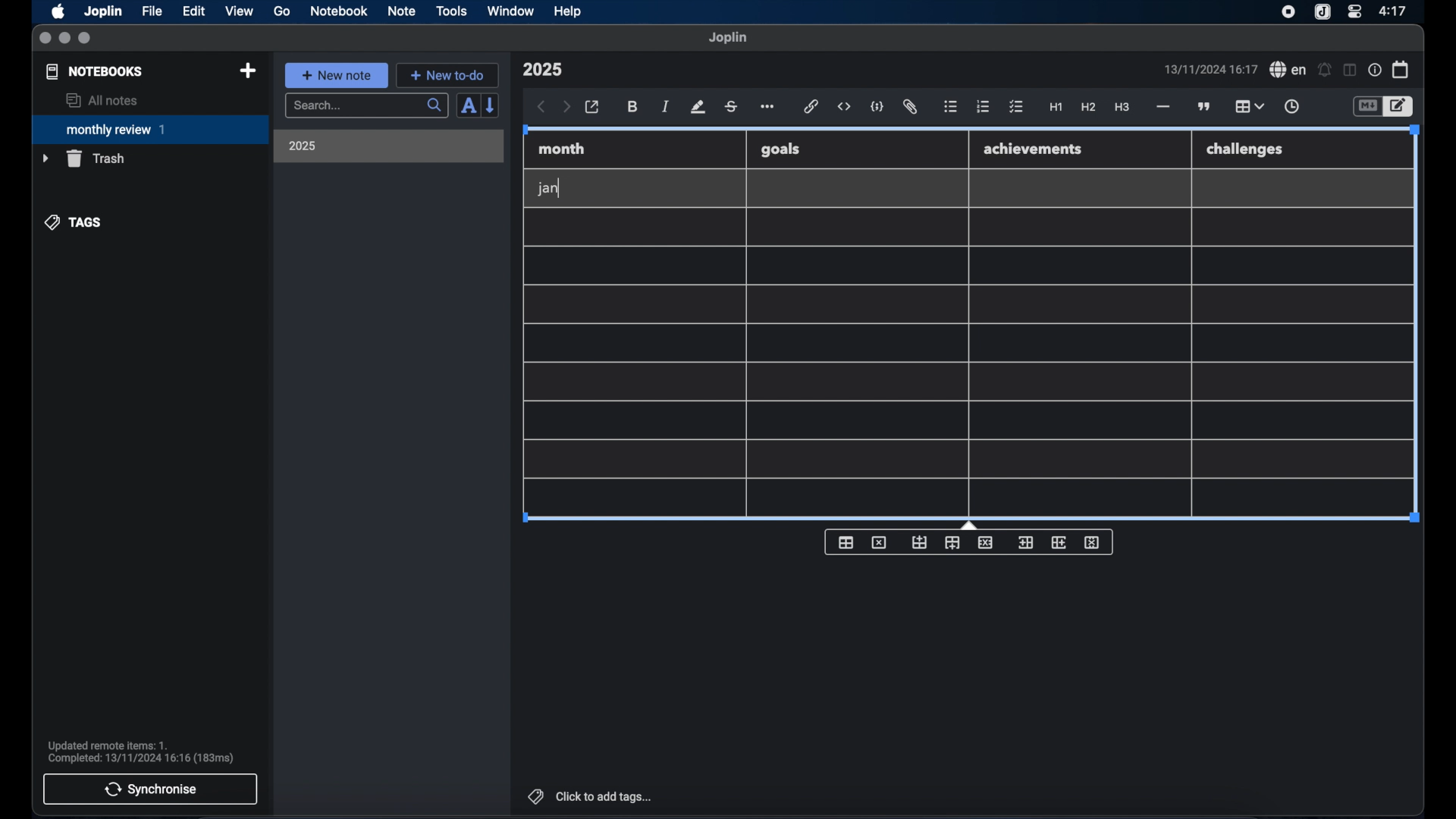 The image size is (1456, 819). I want to click on reverse sort order, so click(491, 105).